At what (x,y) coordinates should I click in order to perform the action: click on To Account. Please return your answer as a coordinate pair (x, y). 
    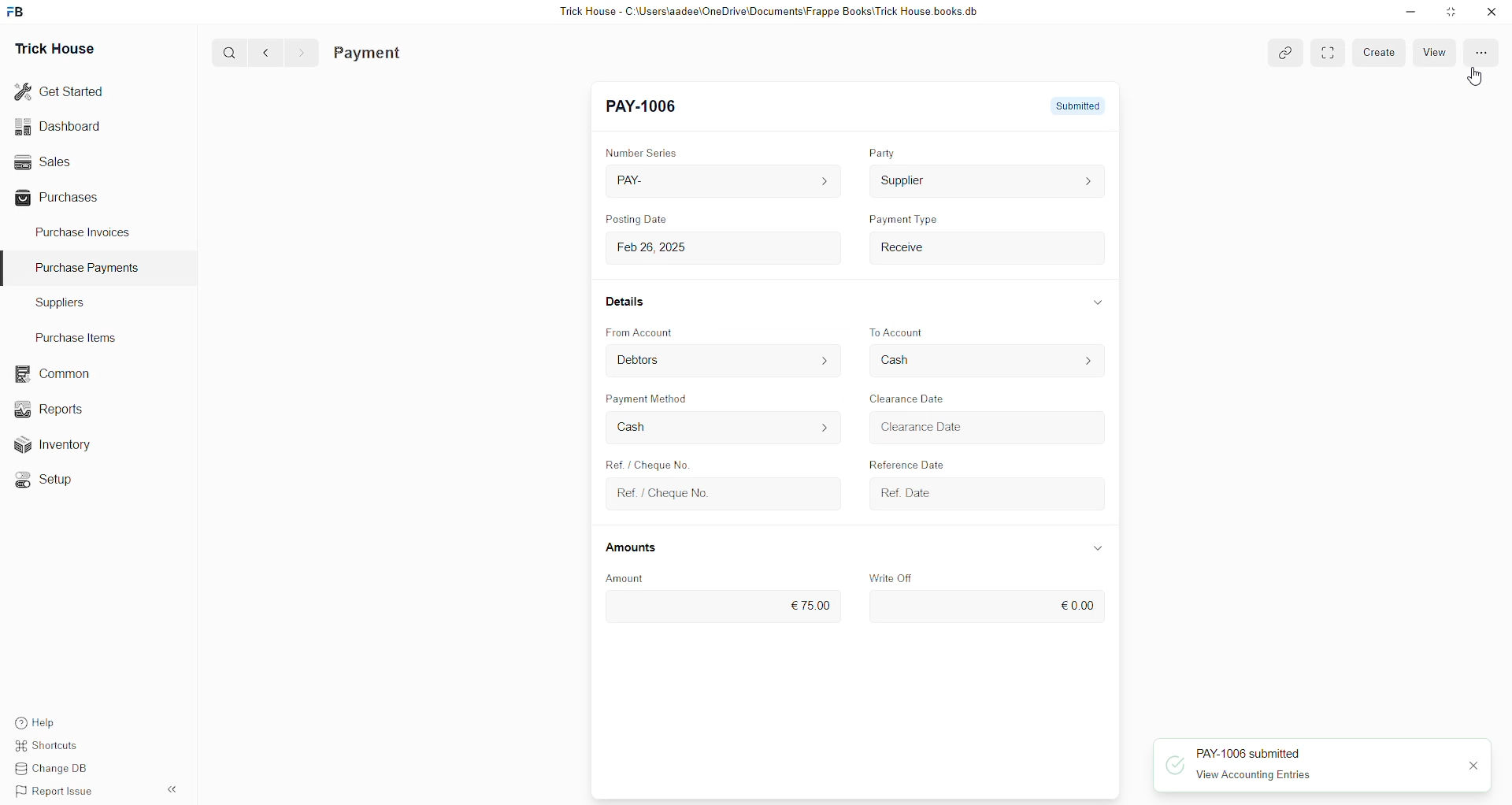
    Looking at the image, I should click on (898, 326).